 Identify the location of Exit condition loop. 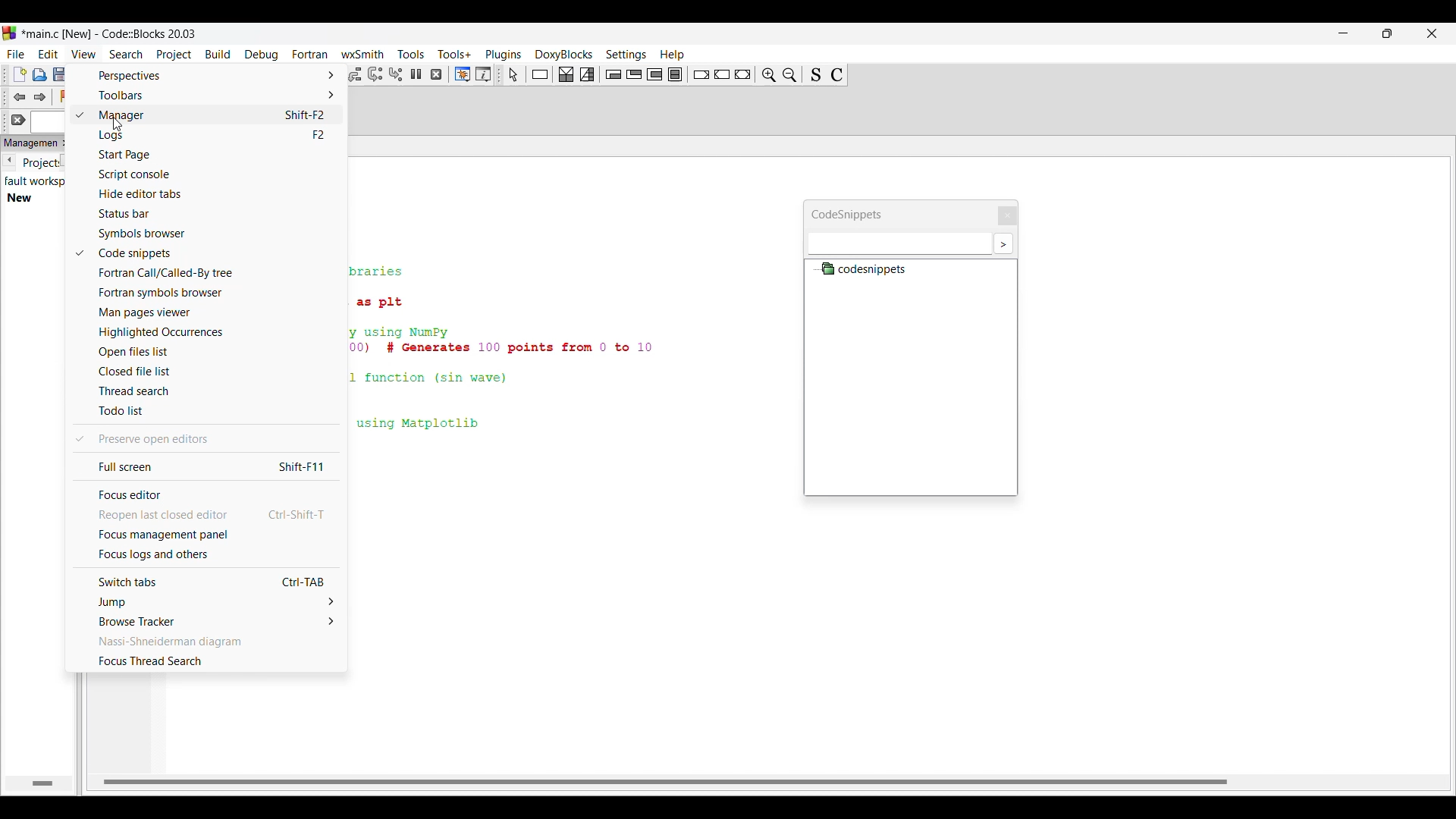
(634, 74).